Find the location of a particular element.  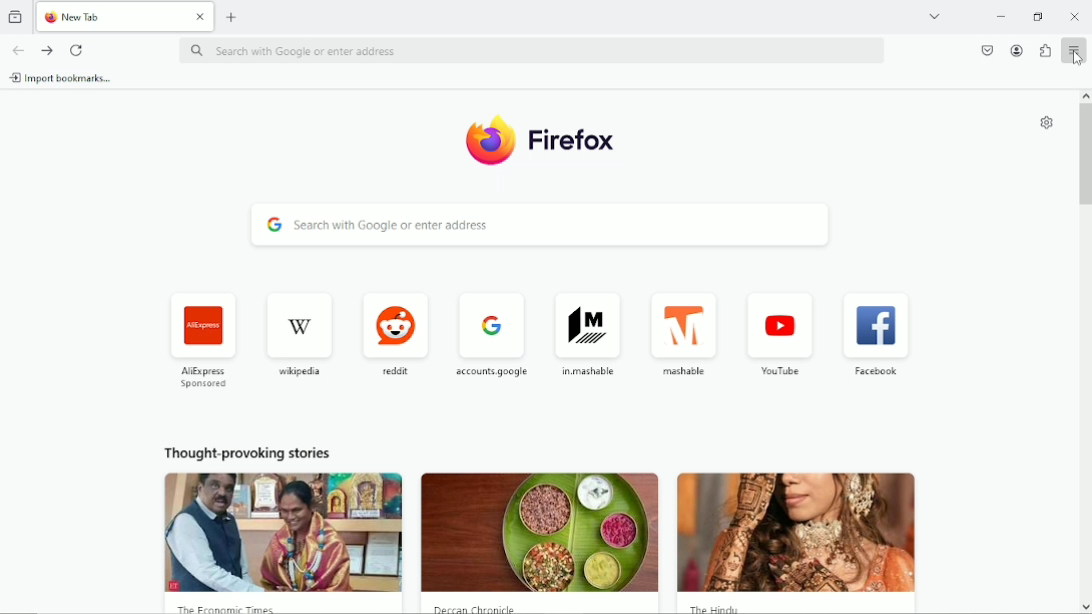

the hindu image is located at coordinates (801, 533).